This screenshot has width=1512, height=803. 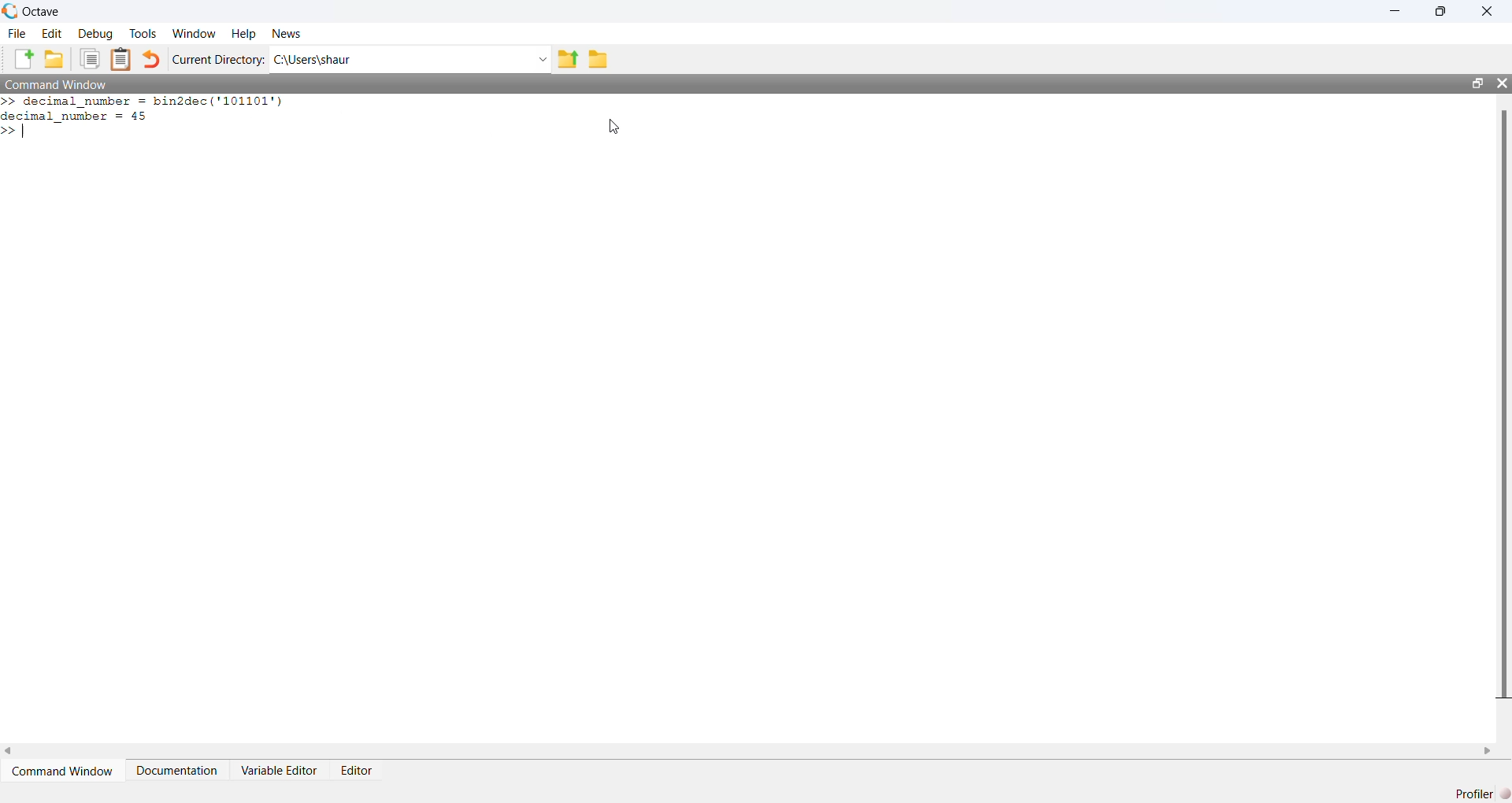 I want to click on tools, so click(x=146, y=34).